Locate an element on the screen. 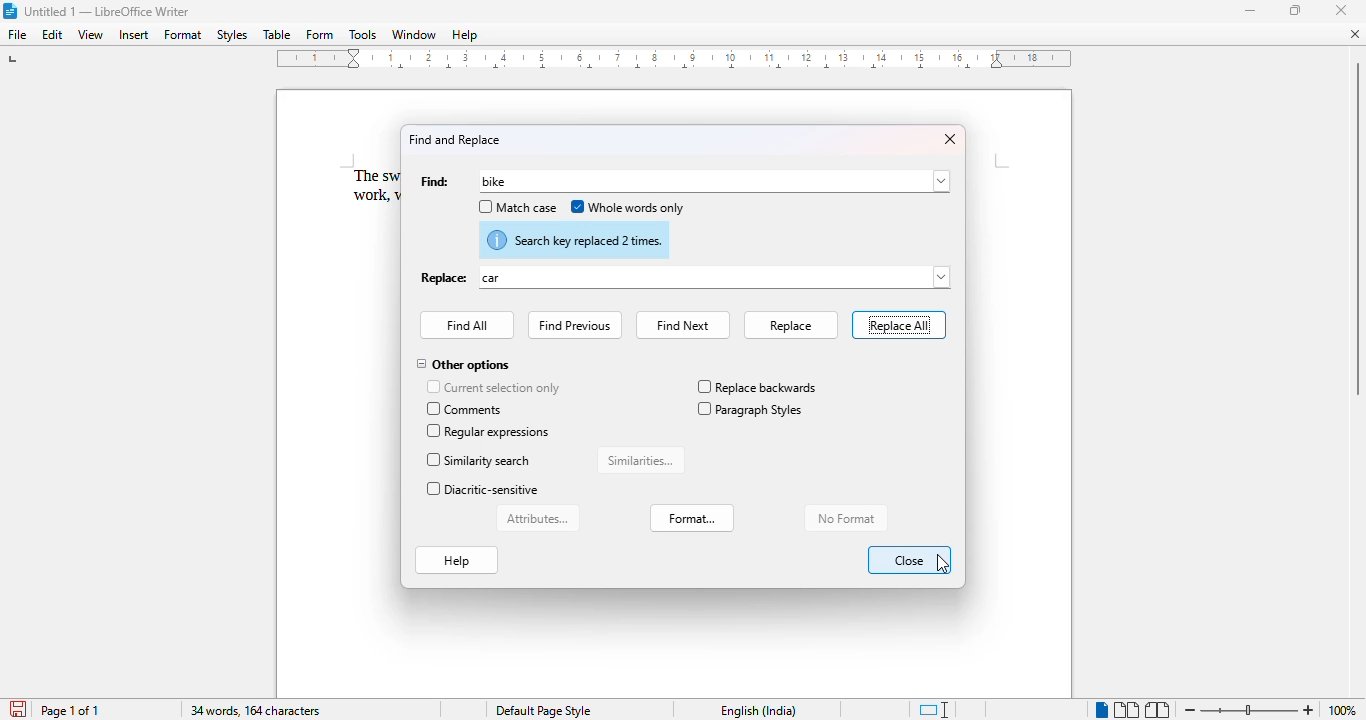 Image resolution: width=1366 pixels, height=720 pixels. table is located at coordinates (276, 35).